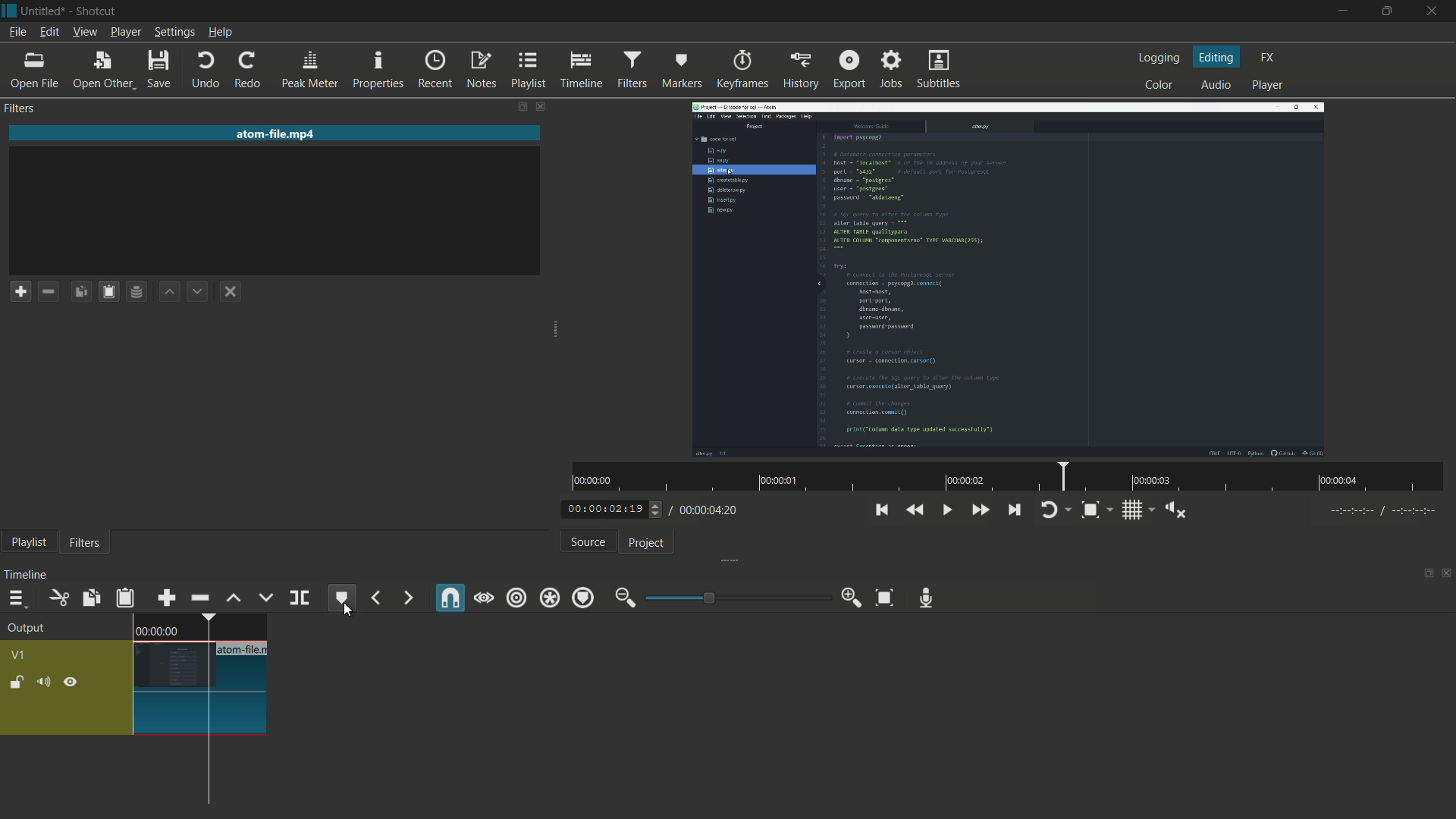 Image resolution: width=1456 pixels, height=819 pixels. Describe the element at coordinates (629, 70) in the screenshot. I see `filters` at that location.